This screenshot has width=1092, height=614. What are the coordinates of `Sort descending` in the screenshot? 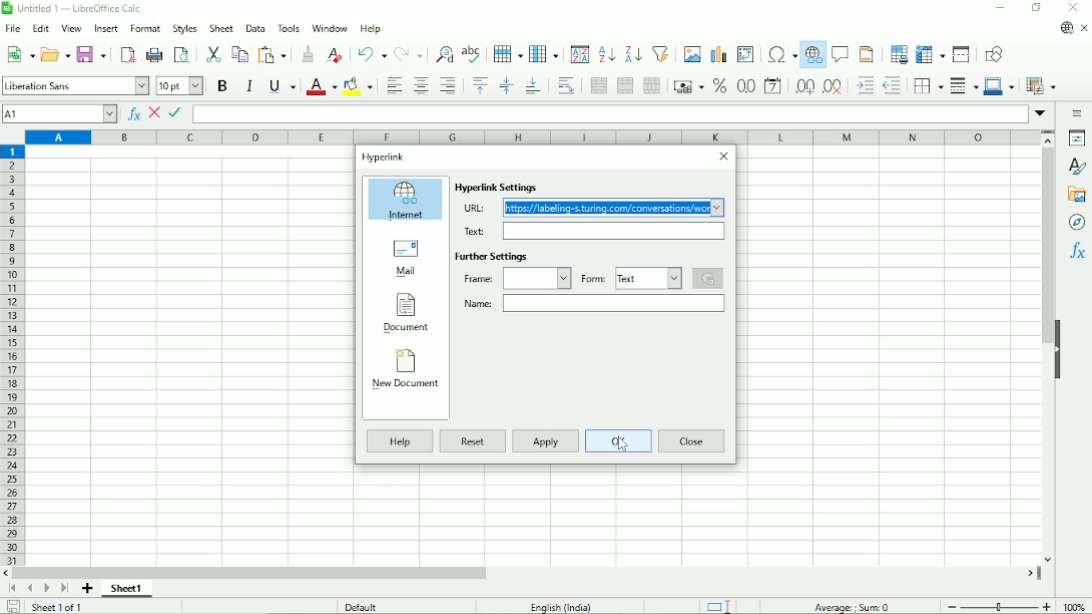 It's located at (633, 55).